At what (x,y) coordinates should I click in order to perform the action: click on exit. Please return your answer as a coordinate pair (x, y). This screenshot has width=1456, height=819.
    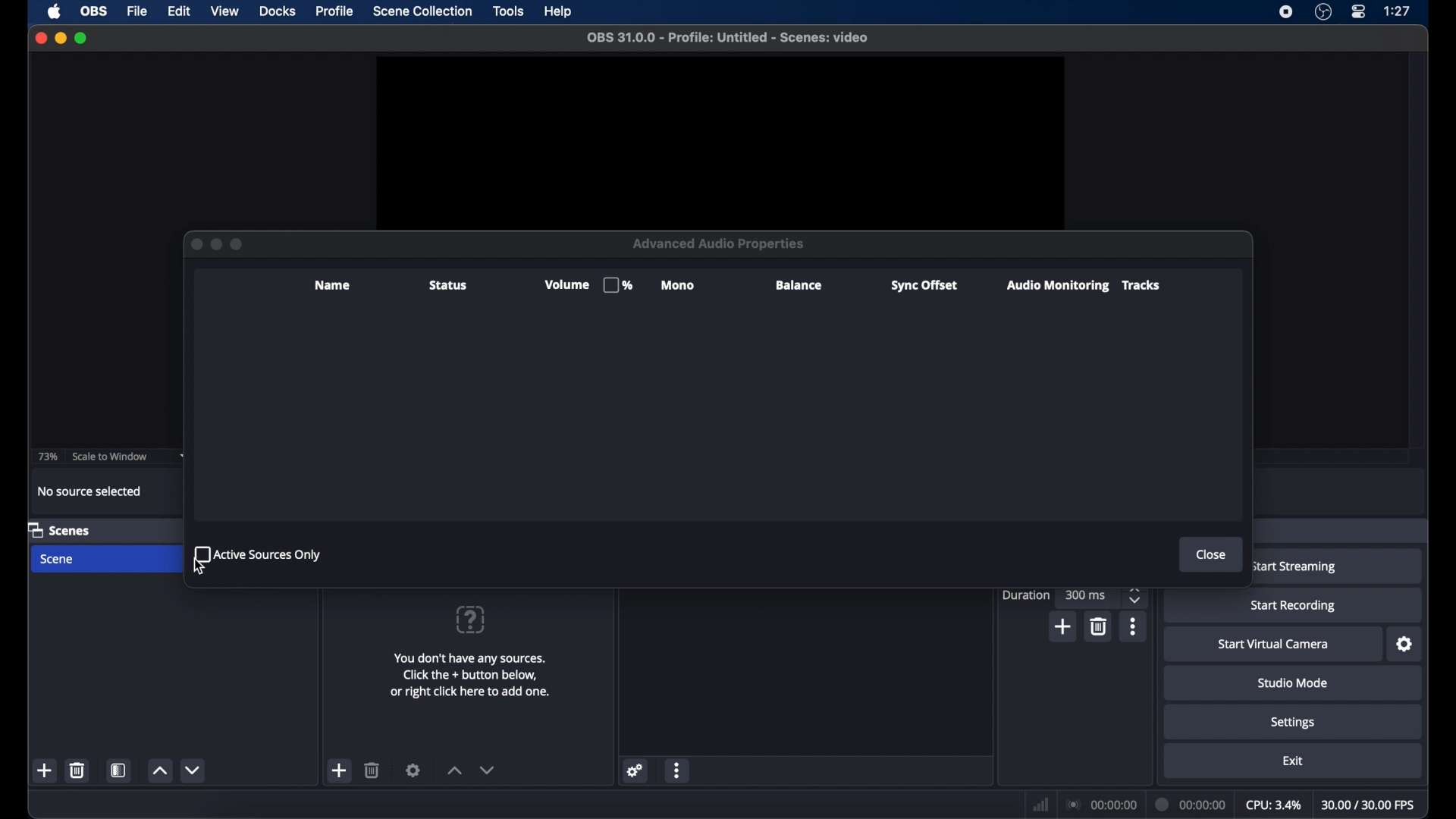
    Looking at the image, I should click on (1292, 761).